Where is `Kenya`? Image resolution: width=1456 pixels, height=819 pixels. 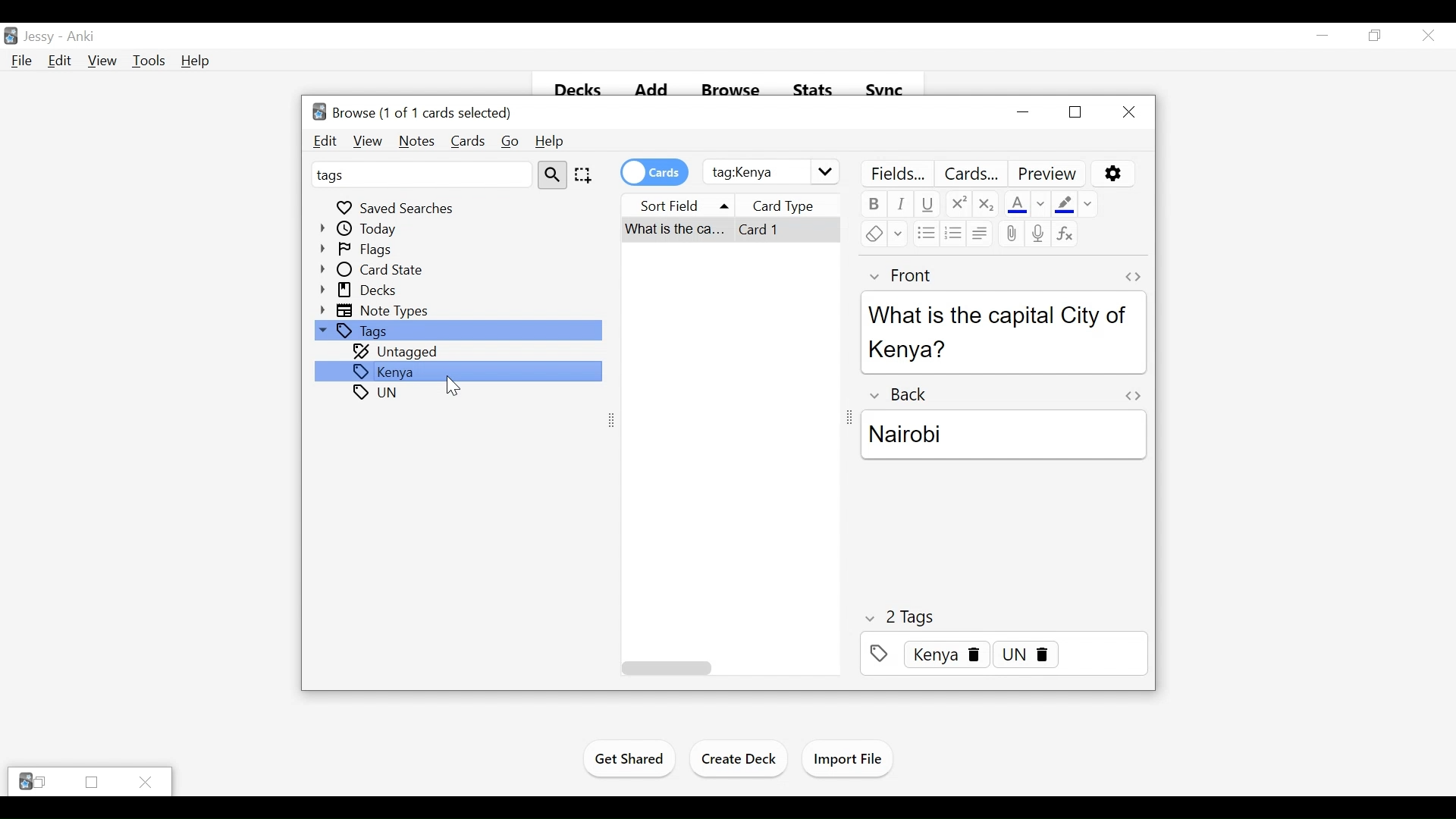
Kenya is located at coordinates (458, 371).